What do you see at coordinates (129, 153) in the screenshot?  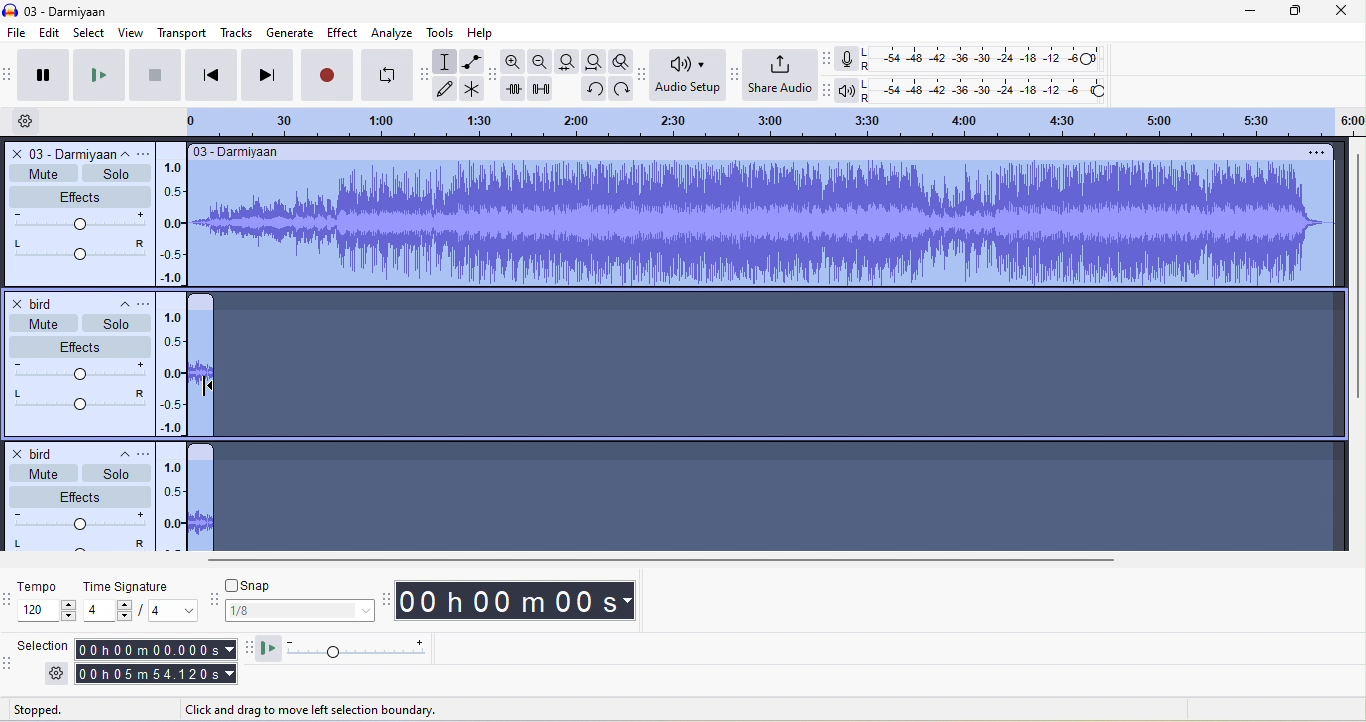 I see `collapse` at bounding box center [129, 153].